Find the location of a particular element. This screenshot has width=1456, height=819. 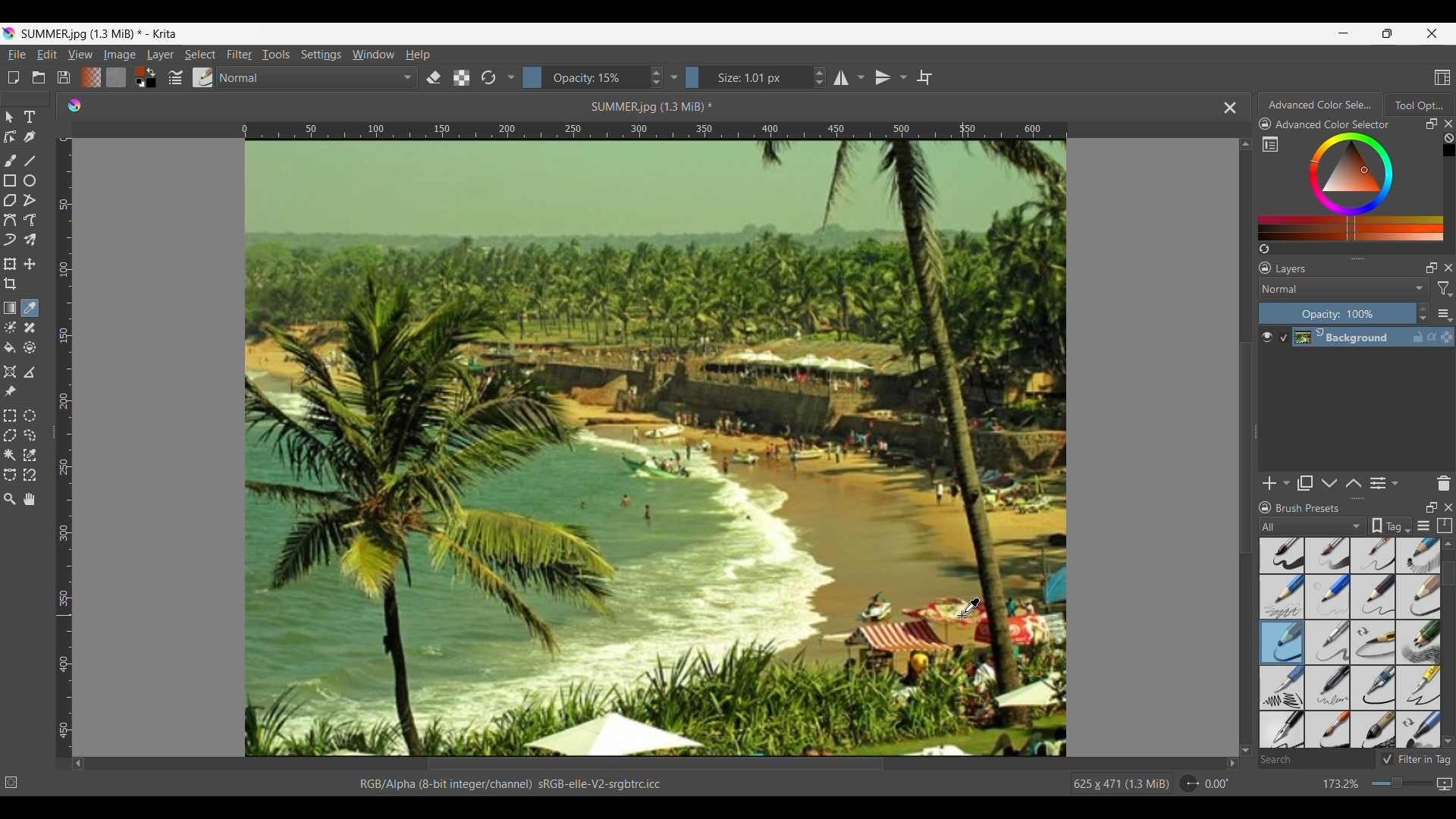

Opacity: 15% is located at coordinates (584, 77).